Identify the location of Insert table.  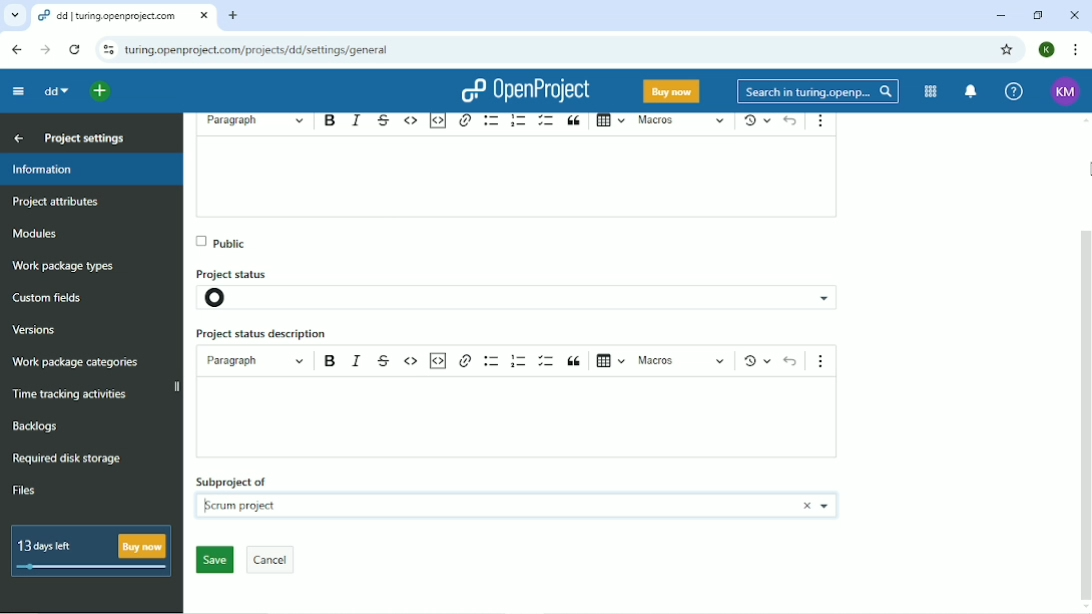
(612, 361).